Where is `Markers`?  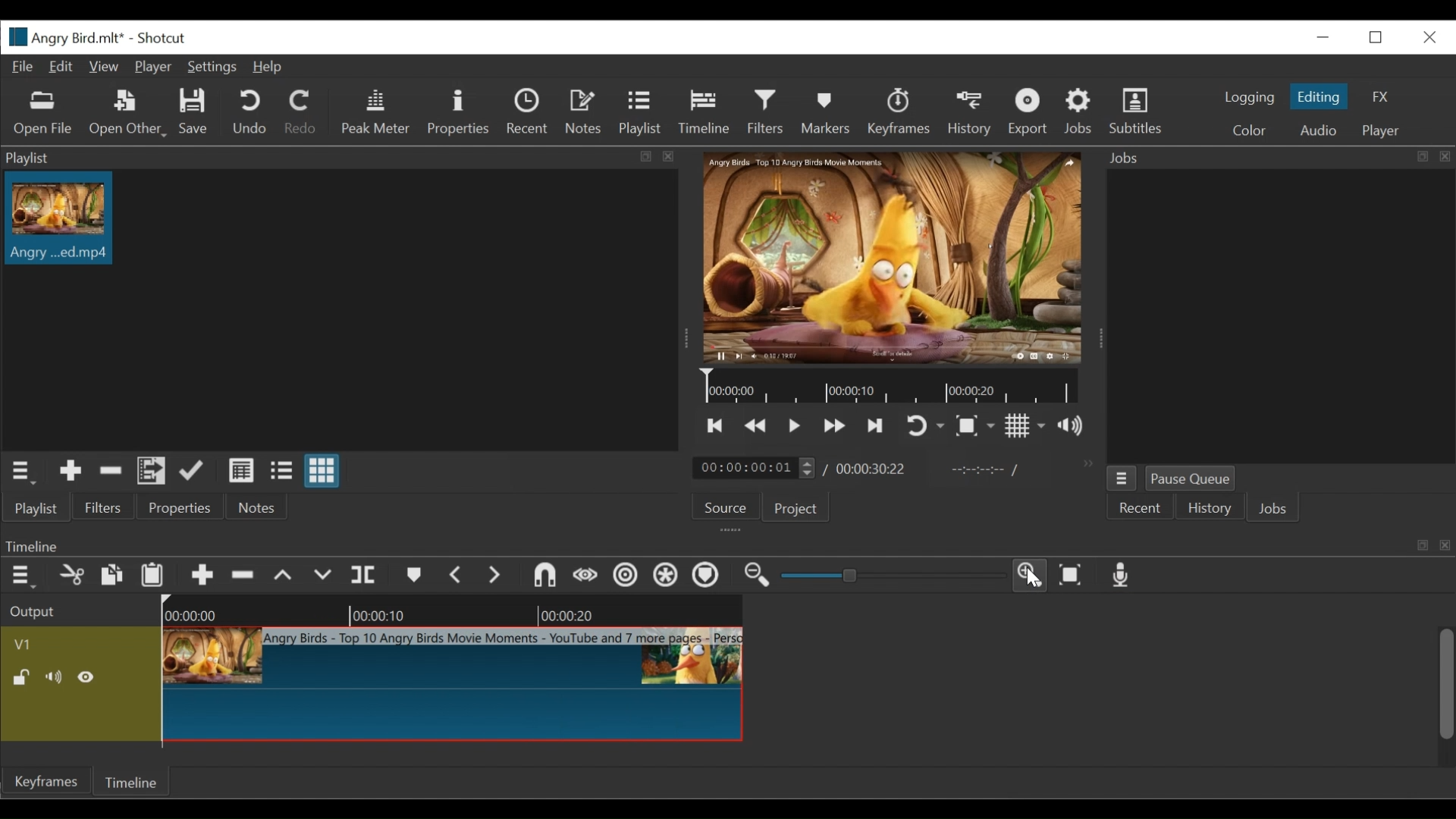 Markers is located at coordinates (415, 576).